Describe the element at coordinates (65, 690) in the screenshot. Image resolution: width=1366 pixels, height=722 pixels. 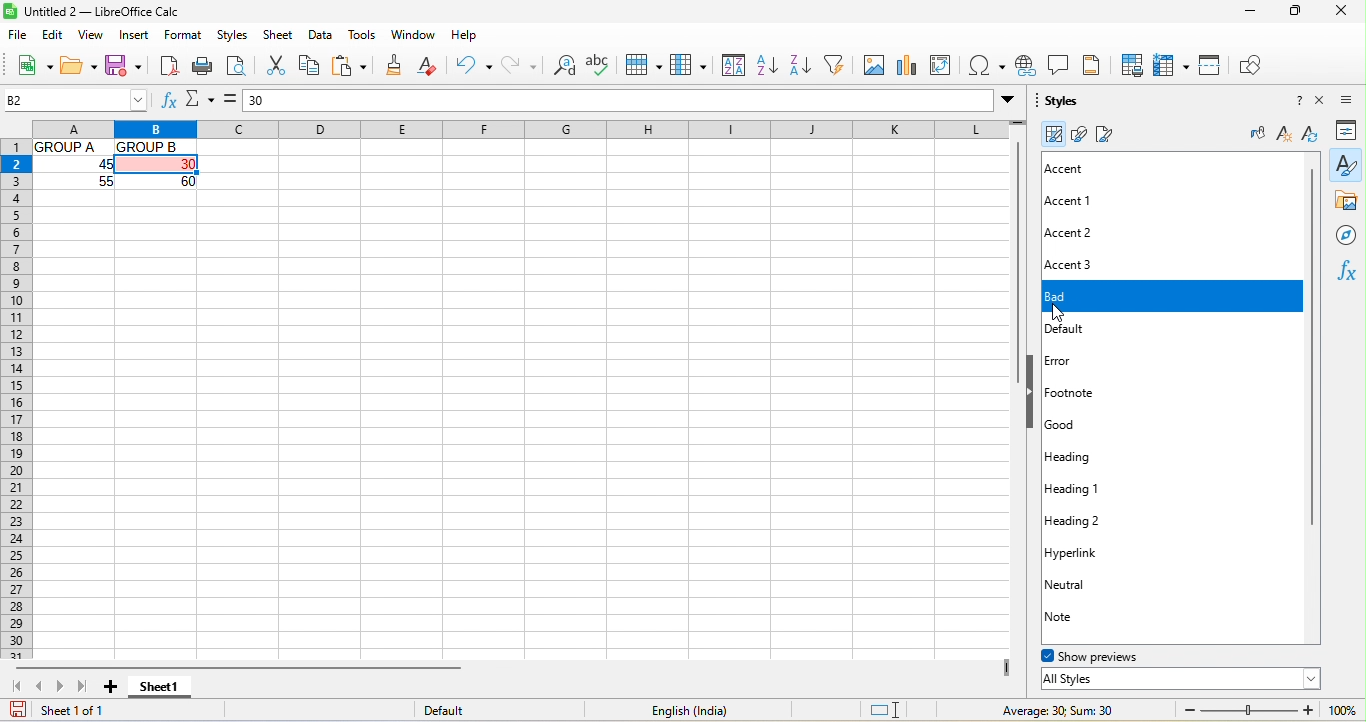
I see `next sheet` at that location.